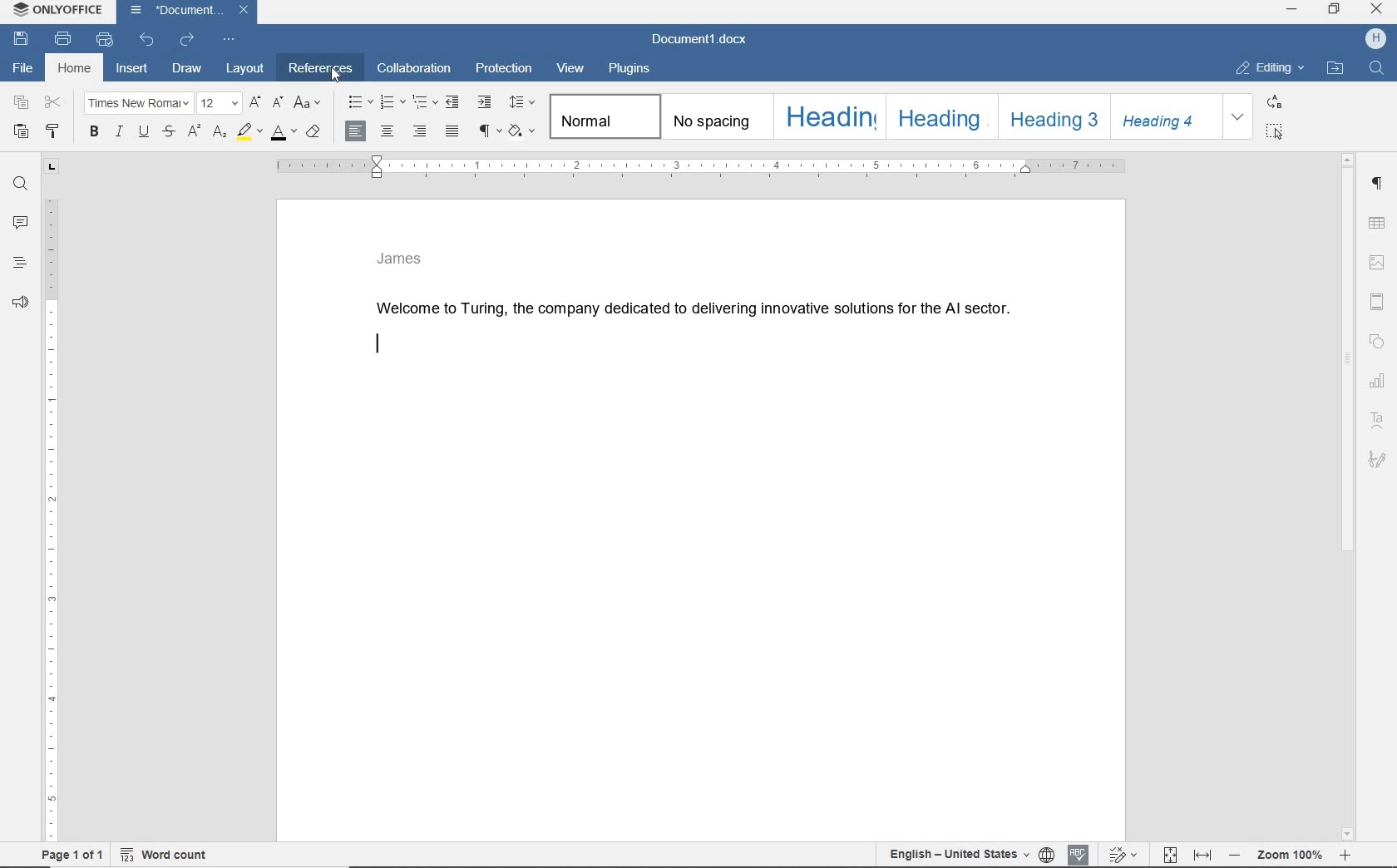  I want to click on signature, so click(1380, 462).